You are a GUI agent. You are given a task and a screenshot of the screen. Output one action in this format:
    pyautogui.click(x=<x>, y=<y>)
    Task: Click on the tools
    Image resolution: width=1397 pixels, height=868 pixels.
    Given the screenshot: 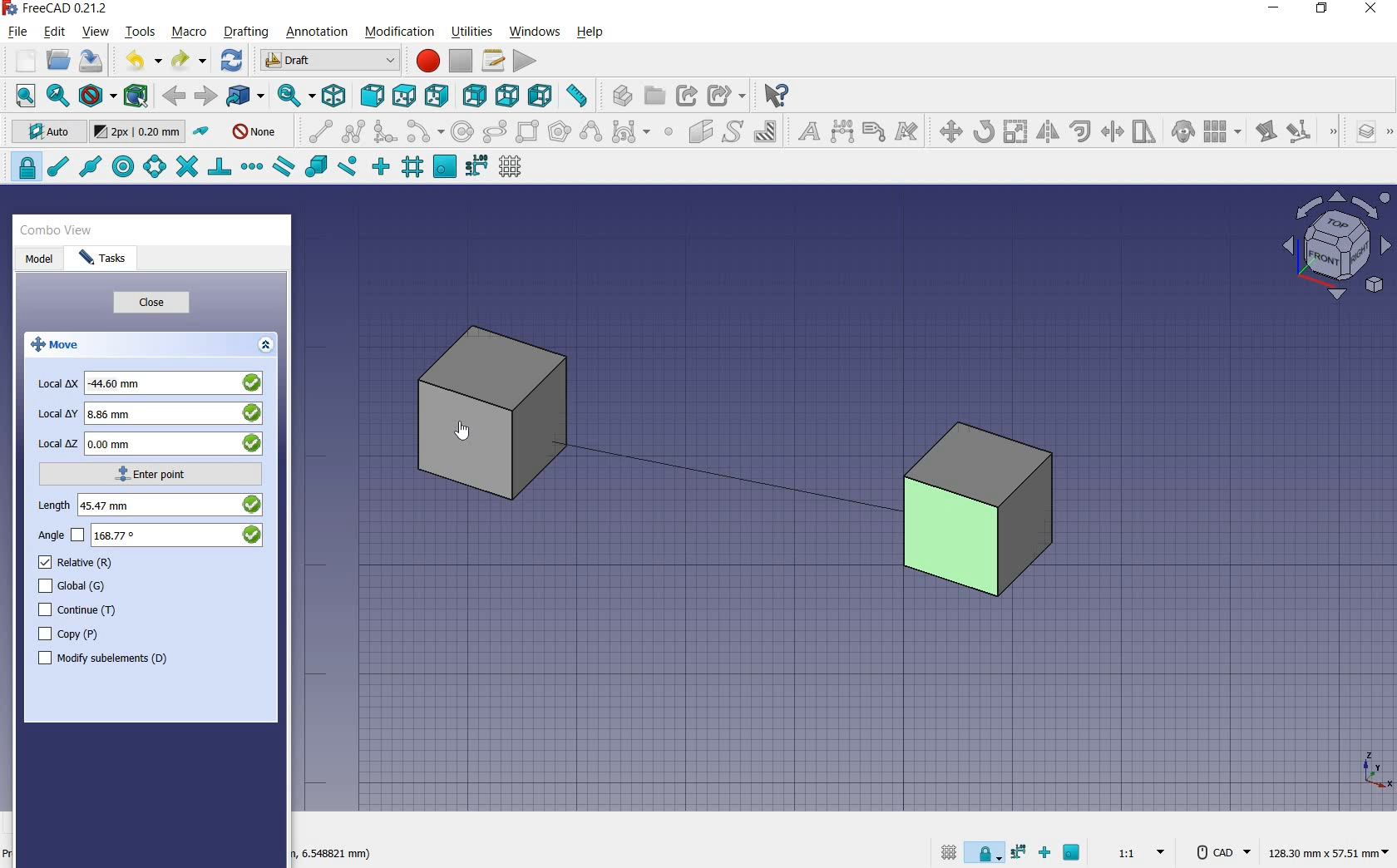 What is the action you would take?
    pyautogui.click(x=142, y=33)
    